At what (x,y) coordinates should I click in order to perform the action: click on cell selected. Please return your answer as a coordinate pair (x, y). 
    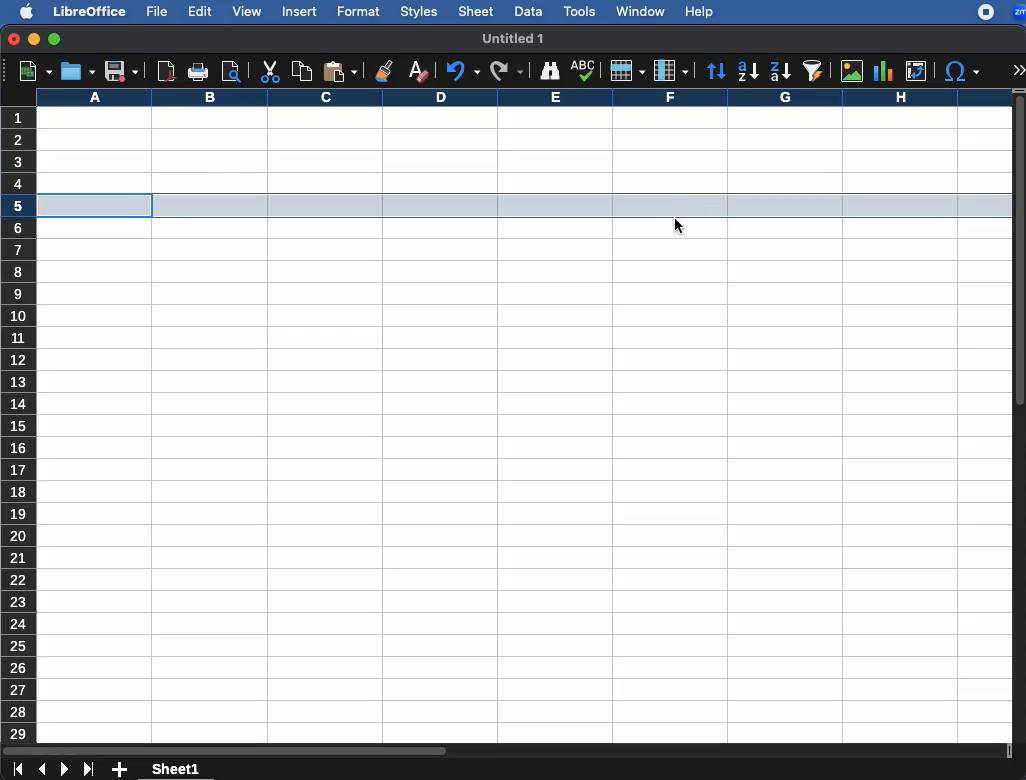
    Looking at the image, I should click on (523, 206).